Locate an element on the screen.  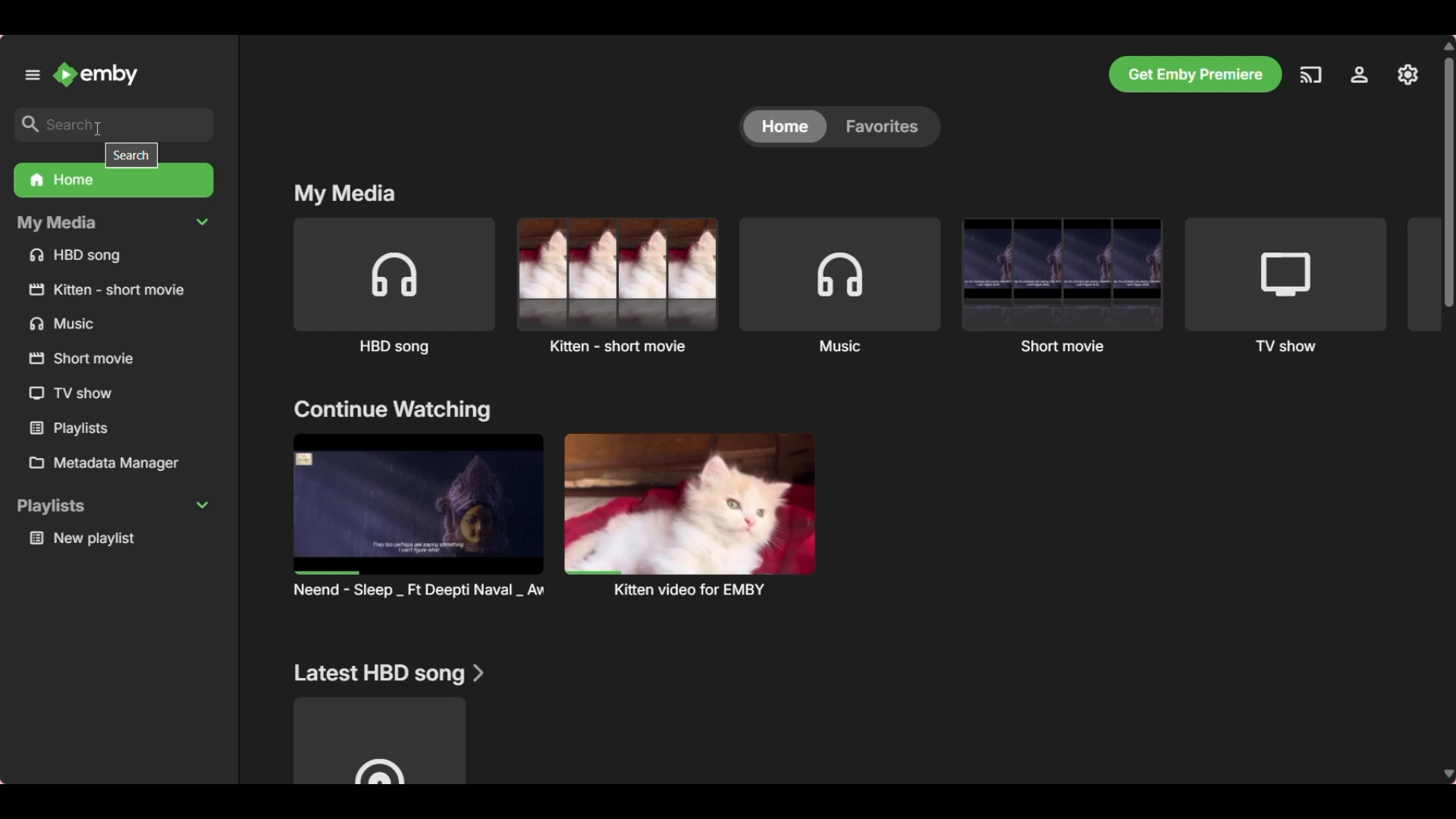
HBD song is located at coordinates (393, 285).